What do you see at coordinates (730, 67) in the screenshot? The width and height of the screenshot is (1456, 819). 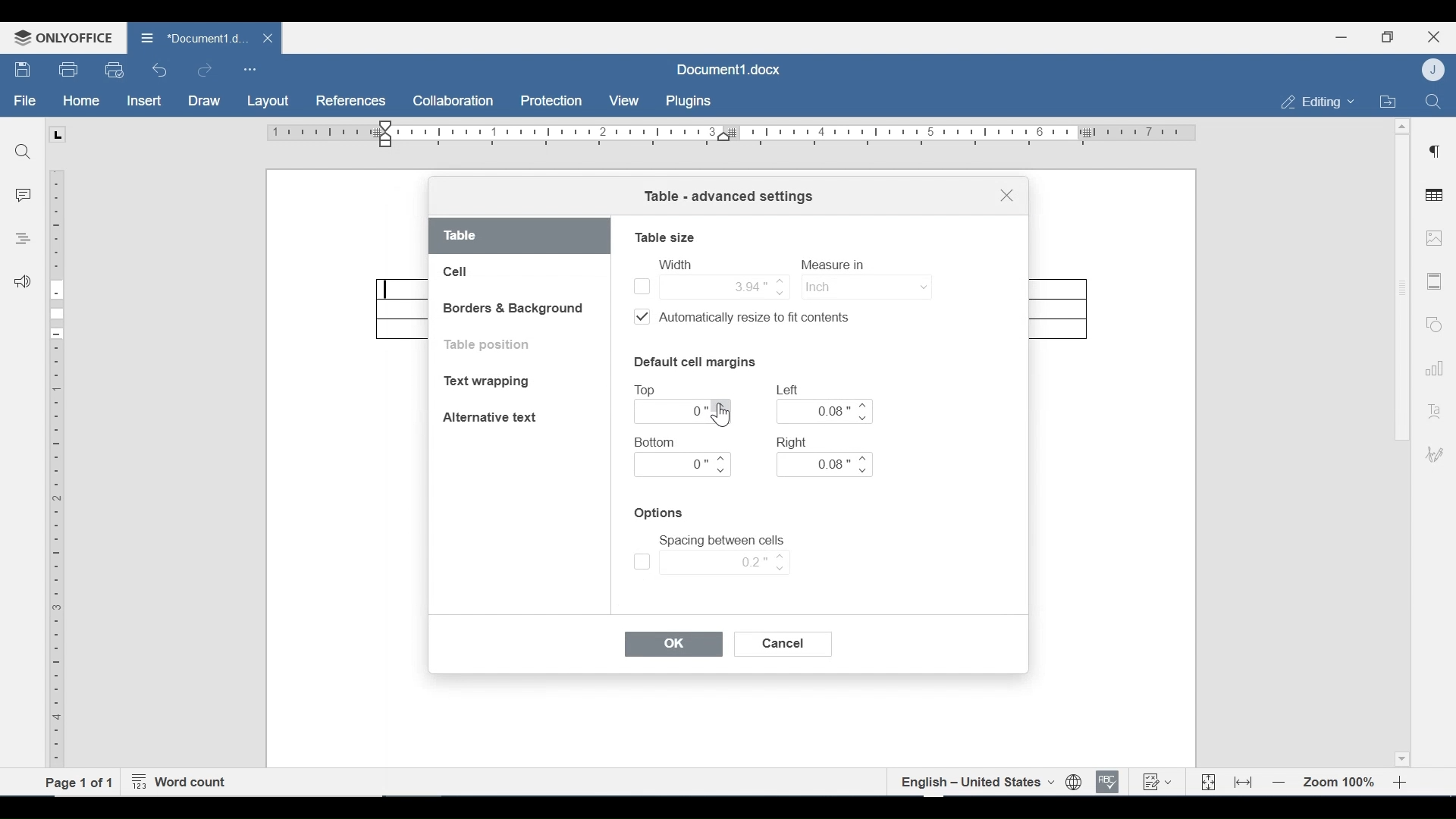 I see `Document1.docx` at bounding box center [730, 67].